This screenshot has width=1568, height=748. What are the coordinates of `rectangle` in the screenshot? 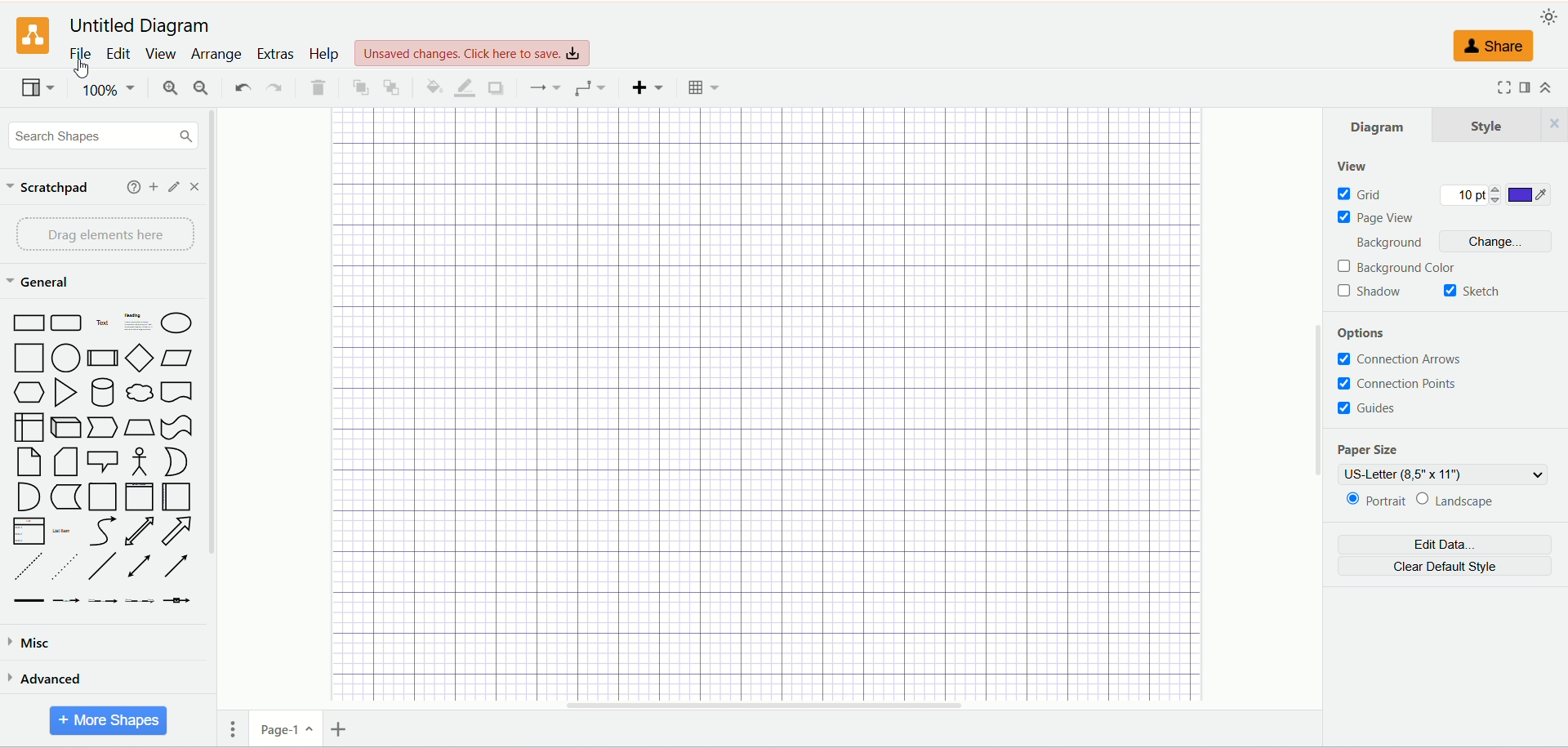 It's located at (30, 324).